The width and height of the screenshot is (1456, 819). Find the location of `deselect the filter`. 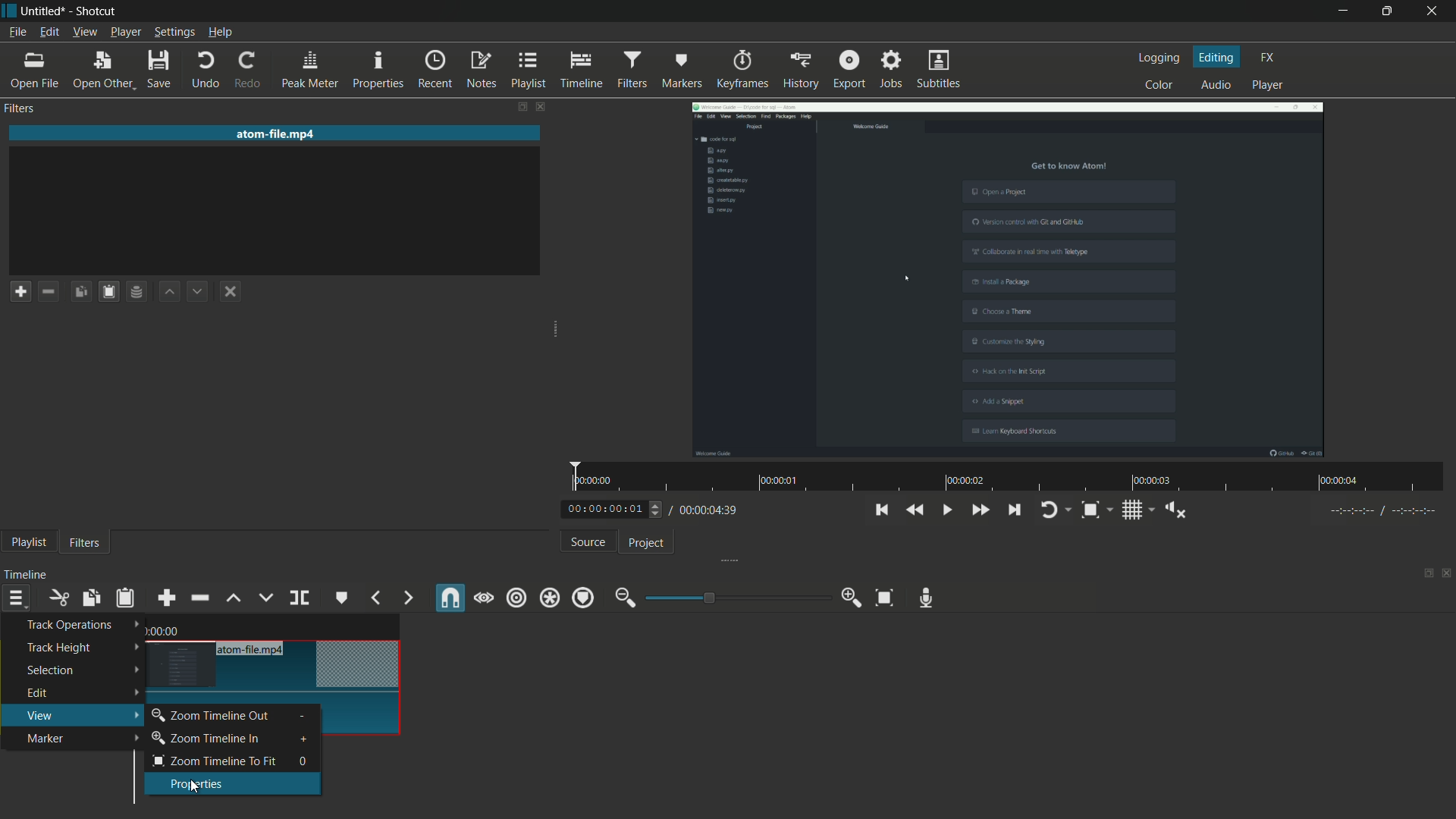

deselect the filter is located at coordinates (231, 292).